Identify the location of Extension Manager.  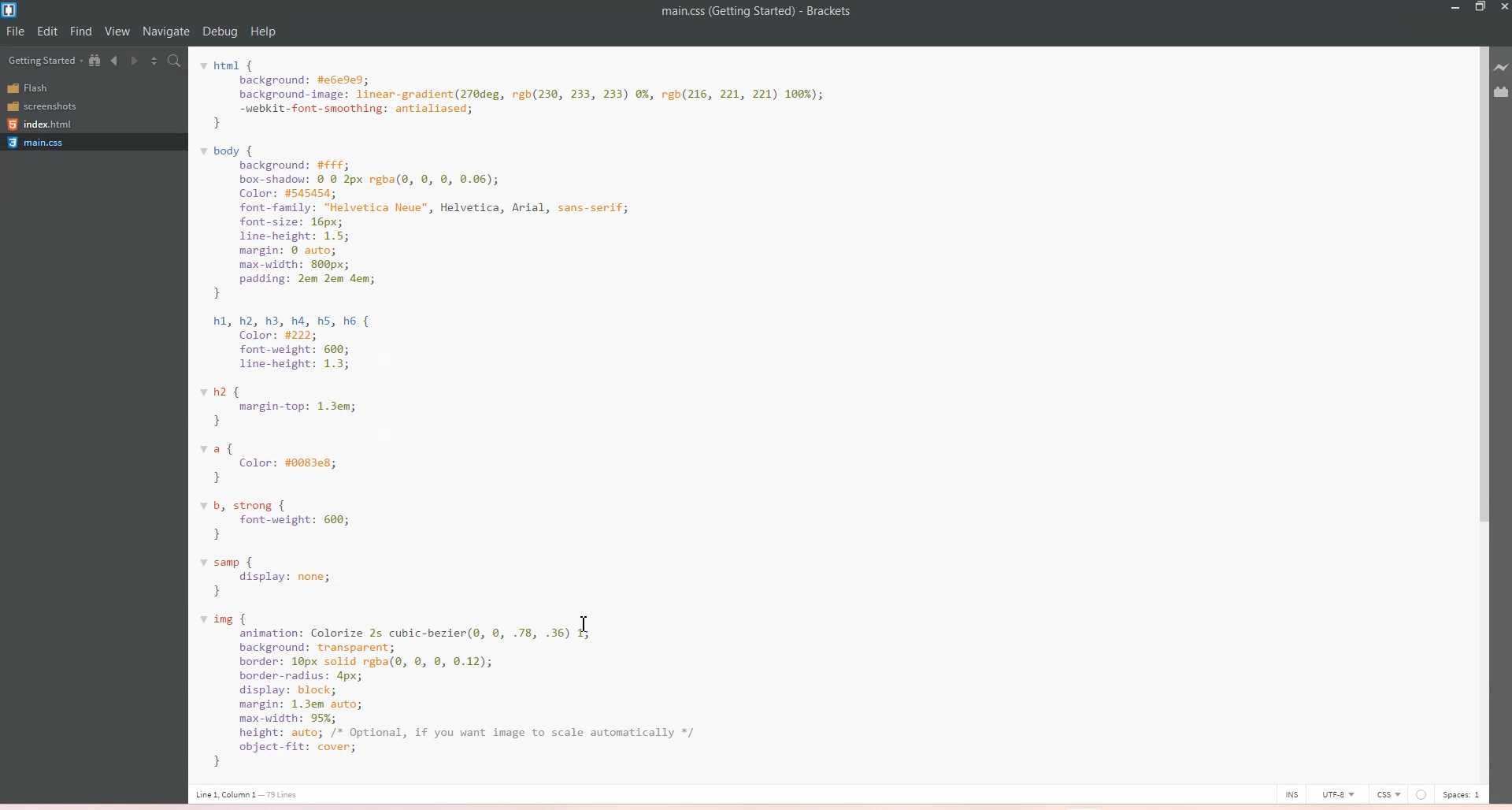
(1501, 92).